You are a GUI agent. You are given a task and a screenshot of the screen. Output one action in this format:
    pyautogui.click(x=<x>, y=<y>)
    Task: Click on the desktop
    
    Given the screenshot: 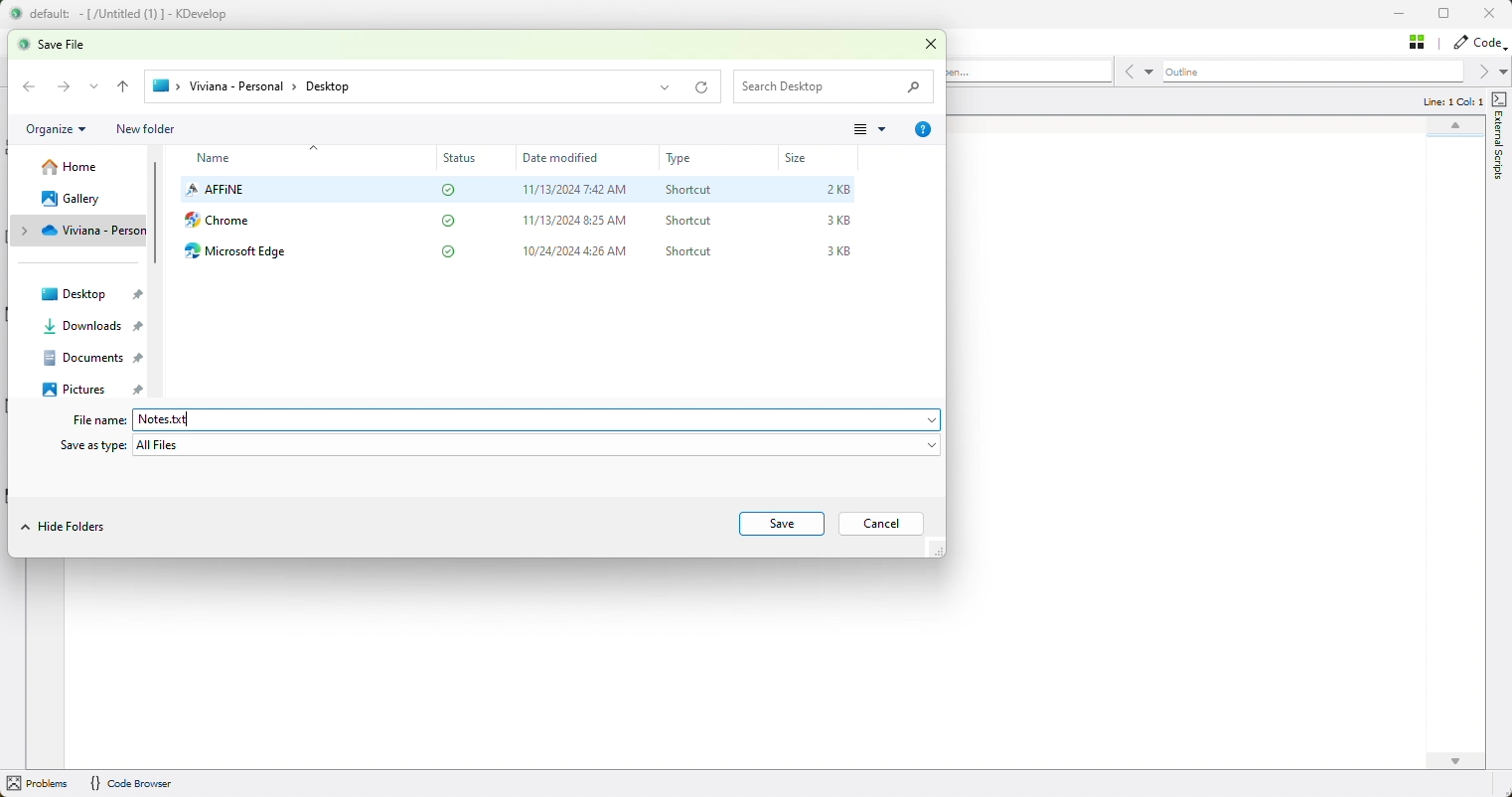 What is the action you would take?
    pyautogui.click(x=91, y=292)
    